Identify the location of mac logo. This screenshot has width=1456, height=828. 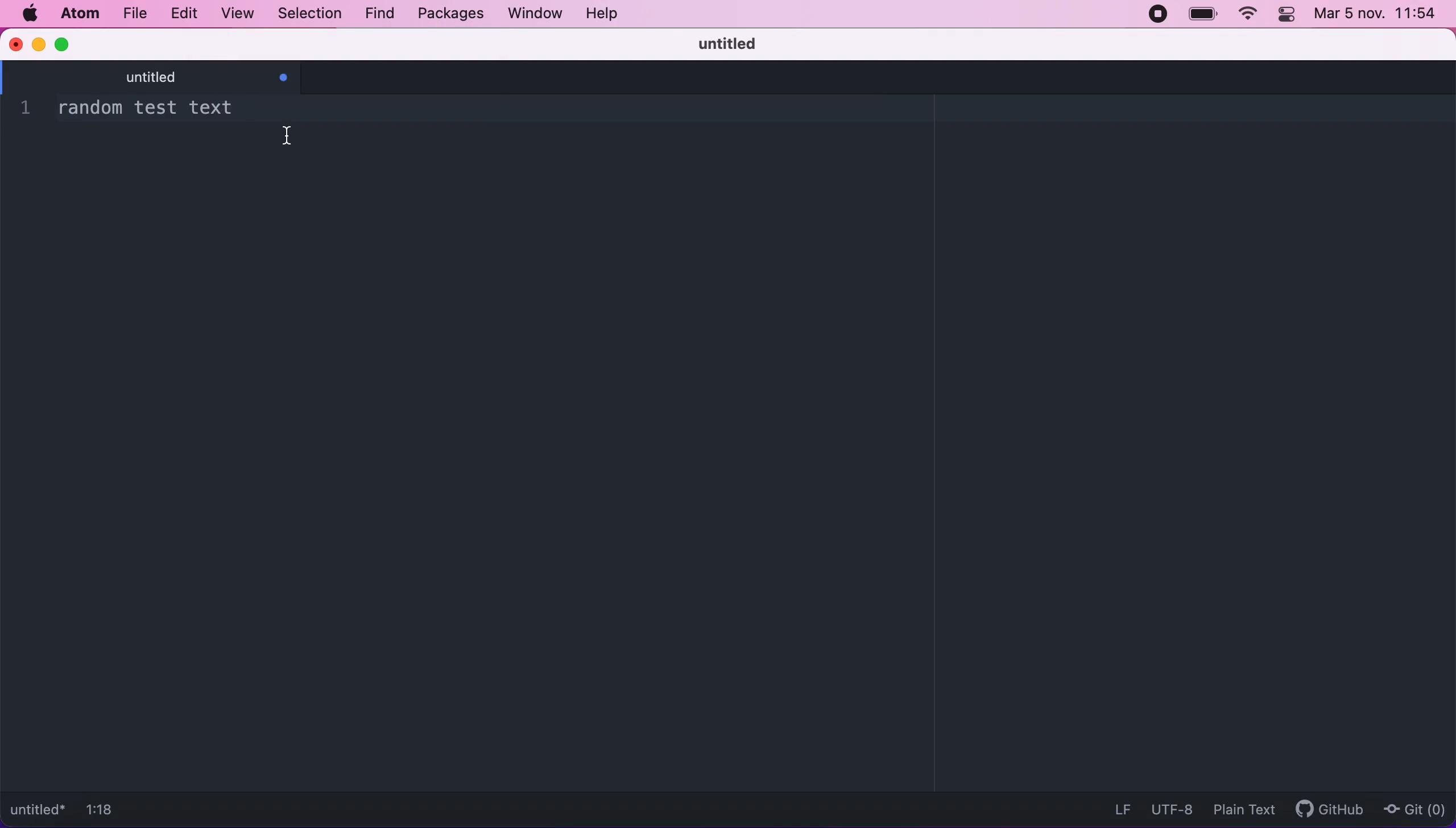
(29, 14).